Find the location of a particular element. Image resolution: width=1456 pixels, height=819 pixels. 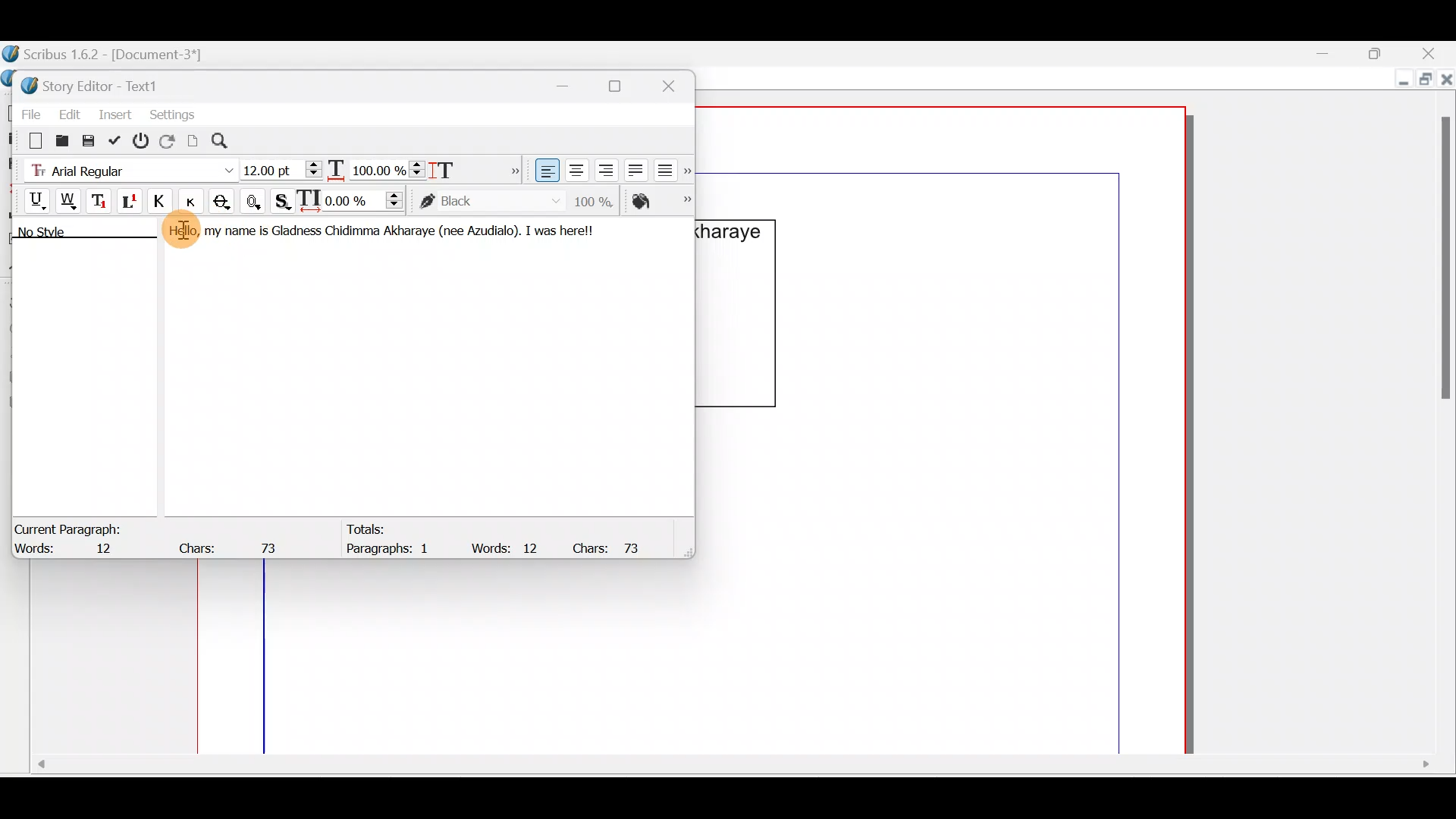

Words: 12 is located at coordinates (72, 550).